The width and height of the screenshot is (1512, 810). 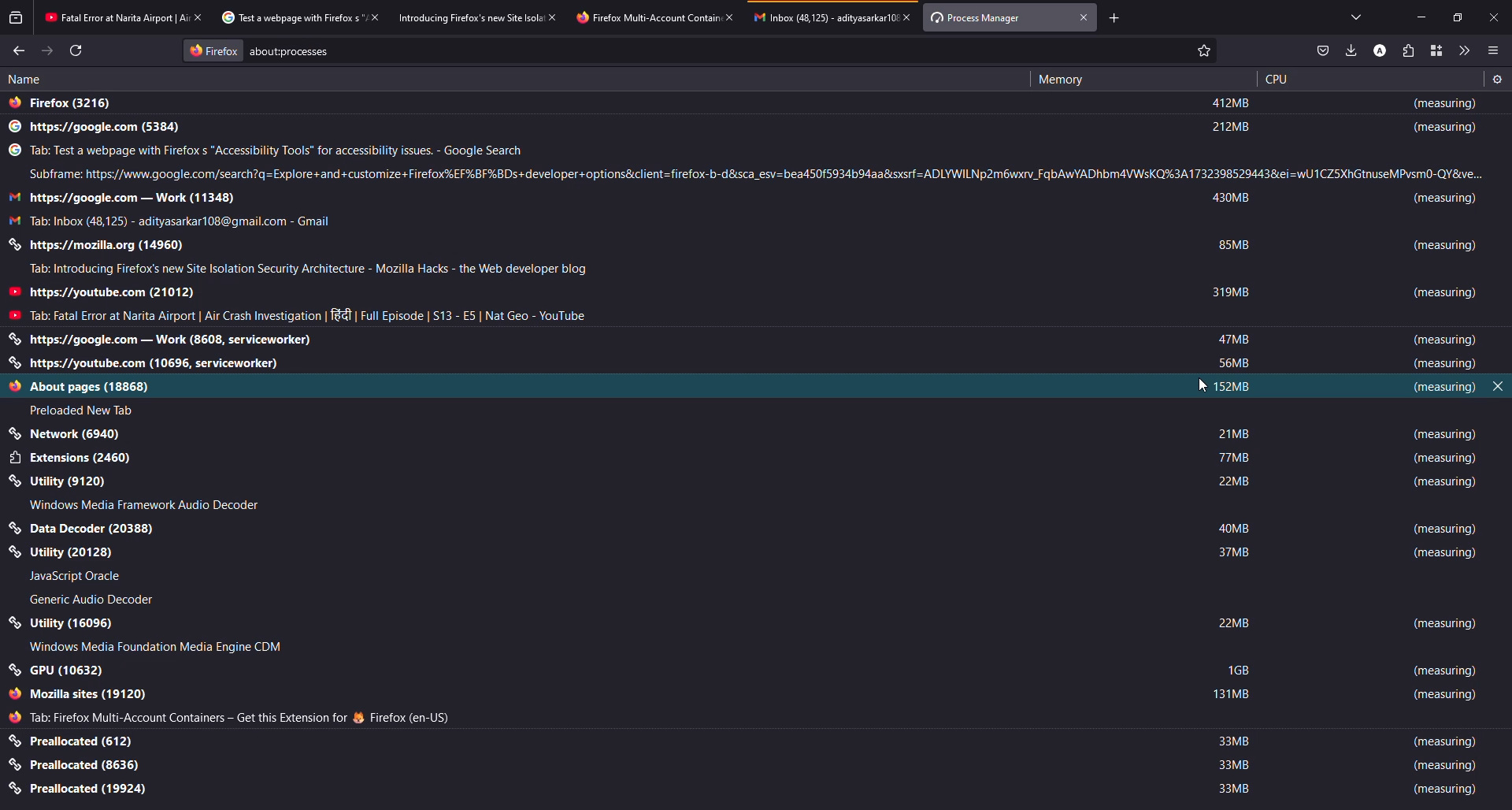 What do you see at coordinates (1084, 17) in the screenshot?
I see `close` at bounding box center [1084, 17].